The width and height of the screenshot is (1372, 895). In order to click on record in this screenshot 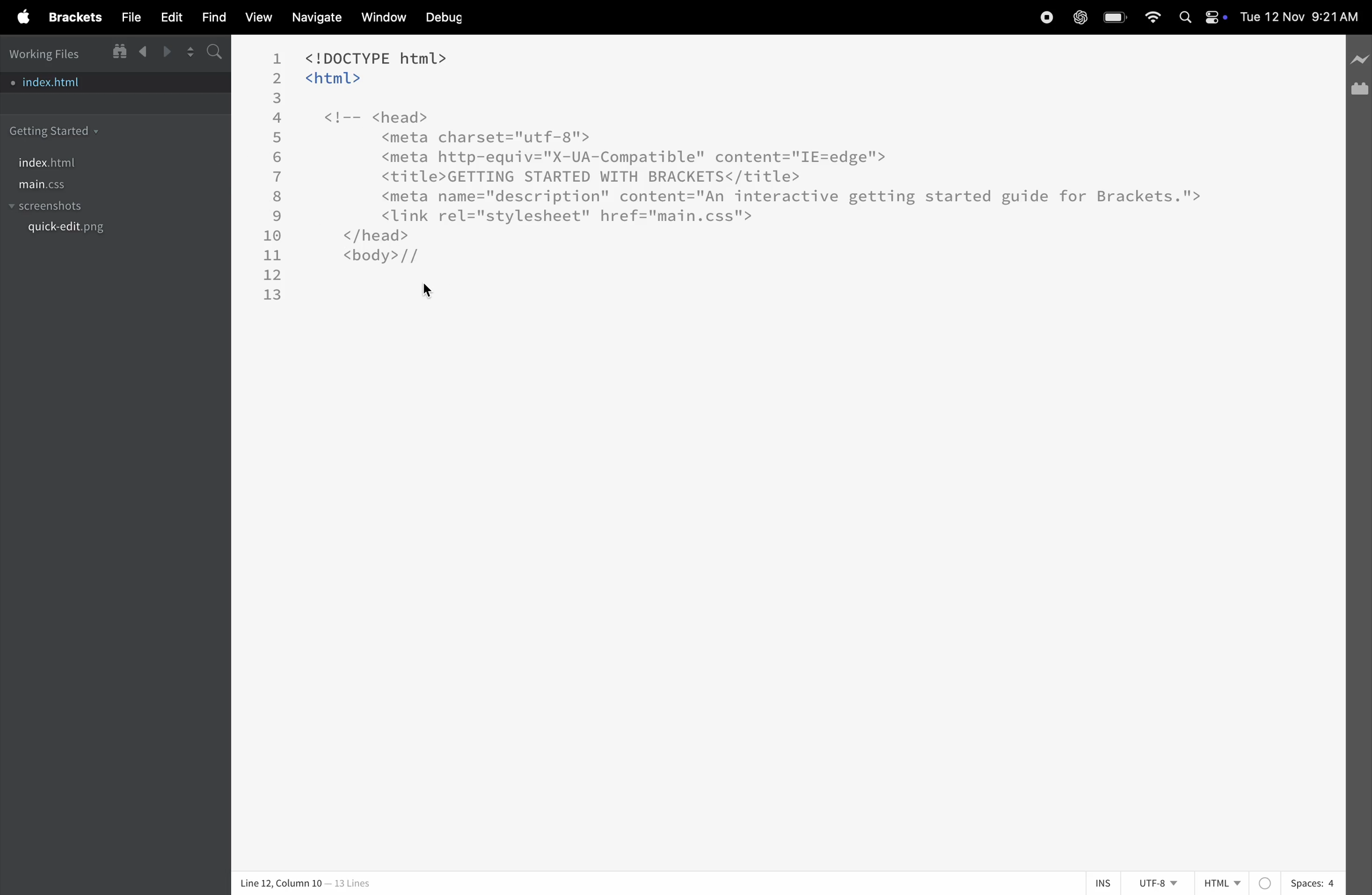, I will do `click(1045, 17)`.